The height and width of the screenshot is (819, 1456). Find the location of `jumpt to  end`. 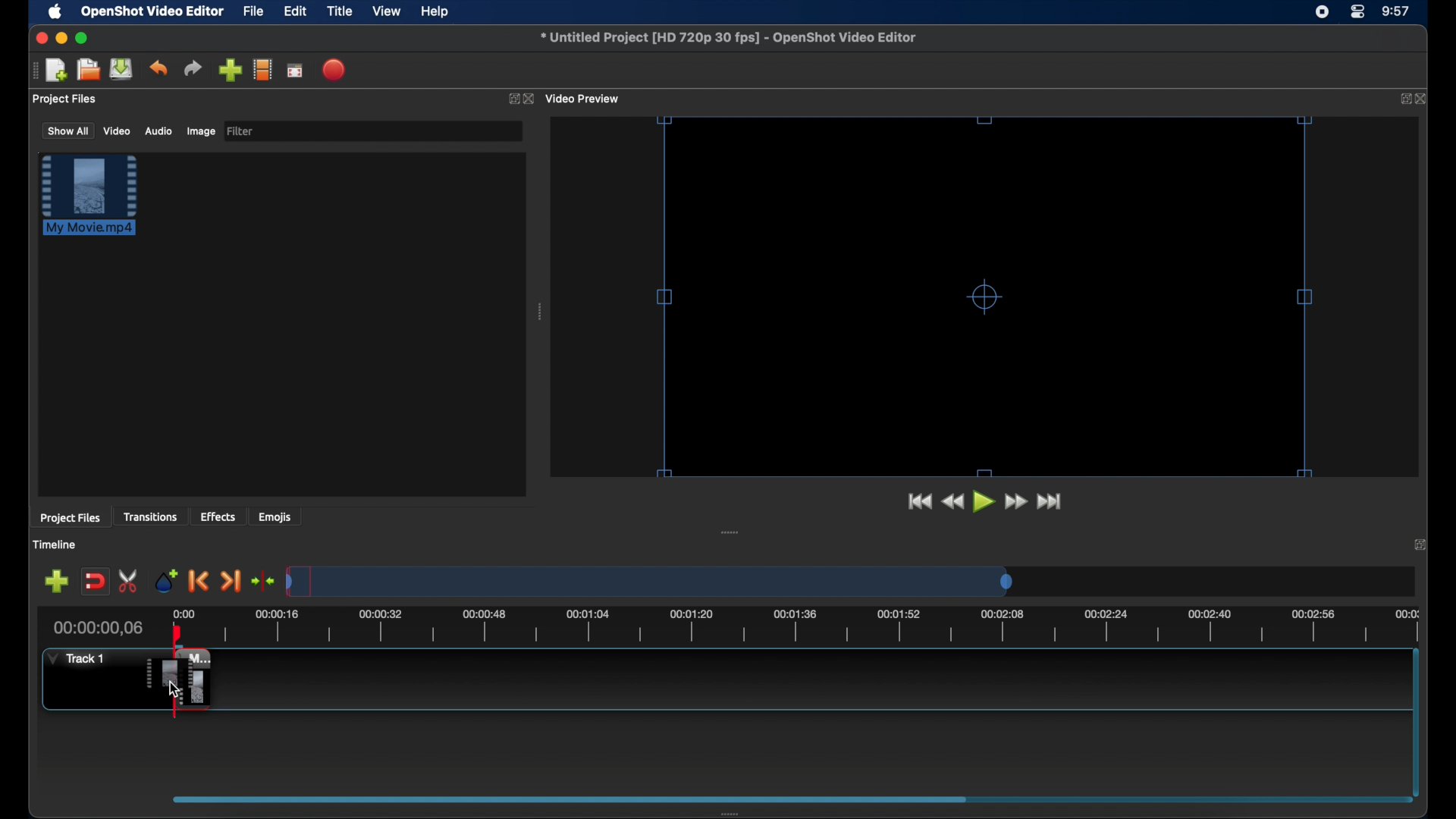

jumpt to  end is located at coordinates (1050, 501).